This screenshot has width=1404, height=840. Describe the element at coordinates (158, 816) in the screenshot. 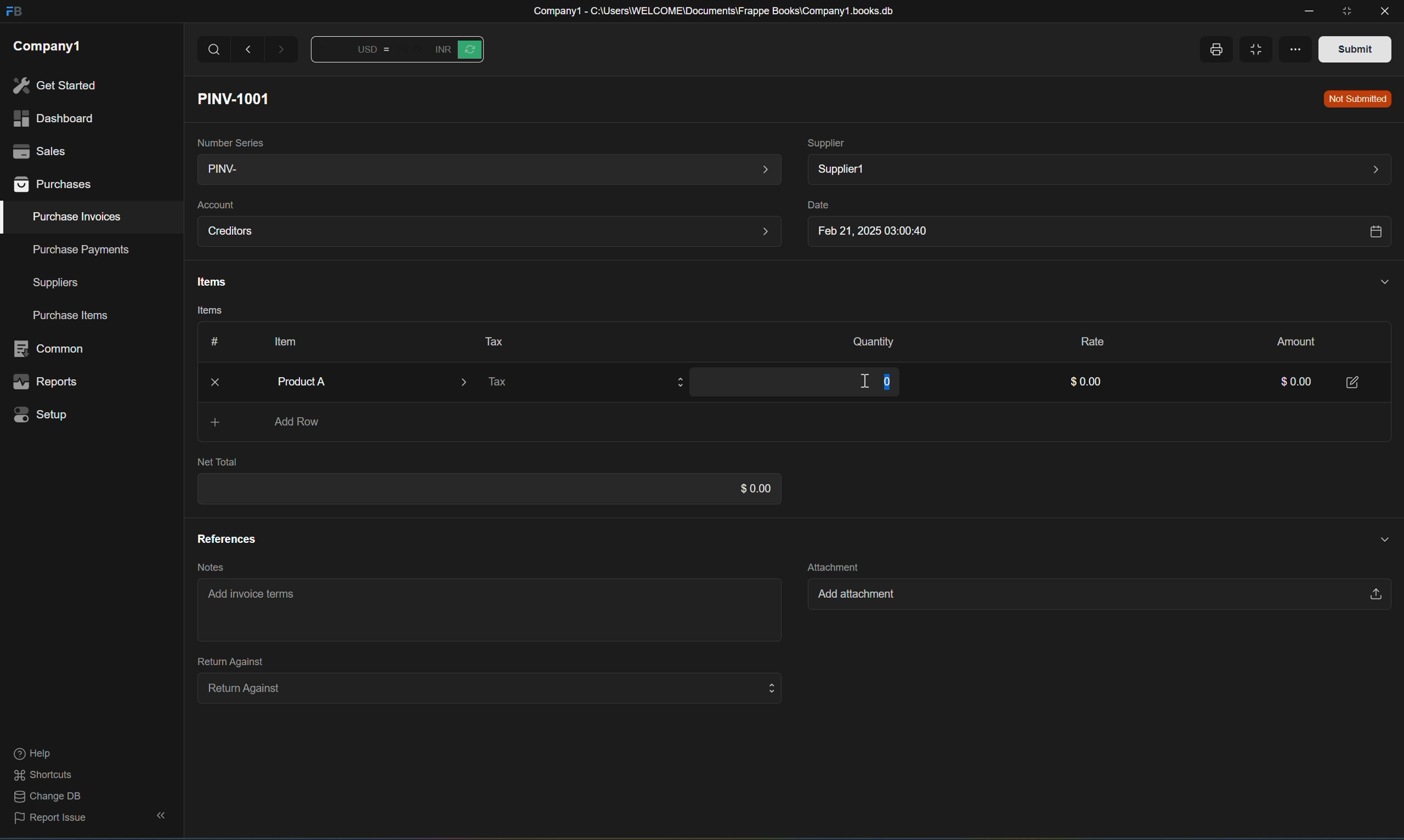

I see `hide` at that location.